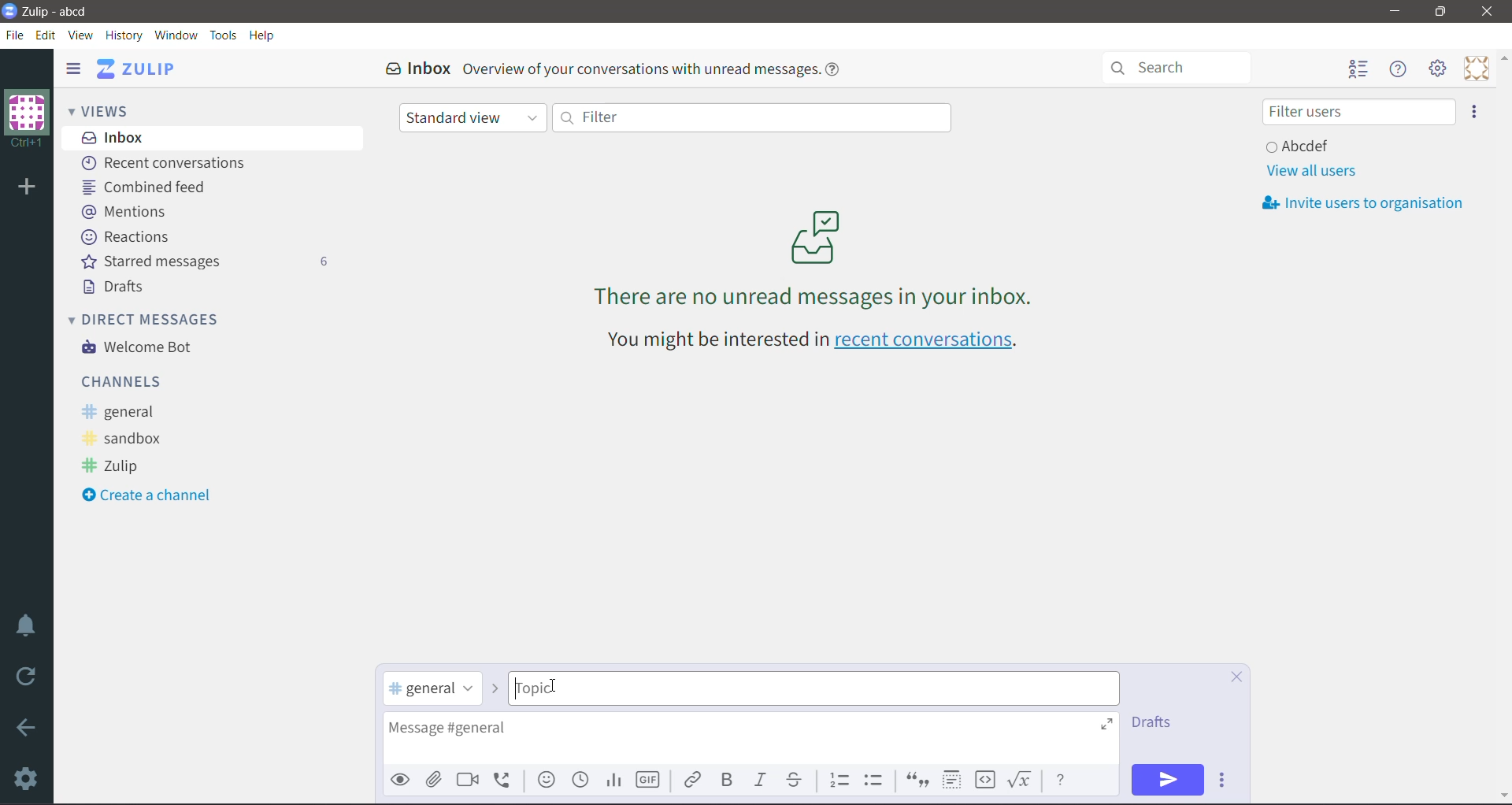 Image resolution: width=1512 pixels, height=805 pixels. I want to click on Numbered list, so click(839, 778).